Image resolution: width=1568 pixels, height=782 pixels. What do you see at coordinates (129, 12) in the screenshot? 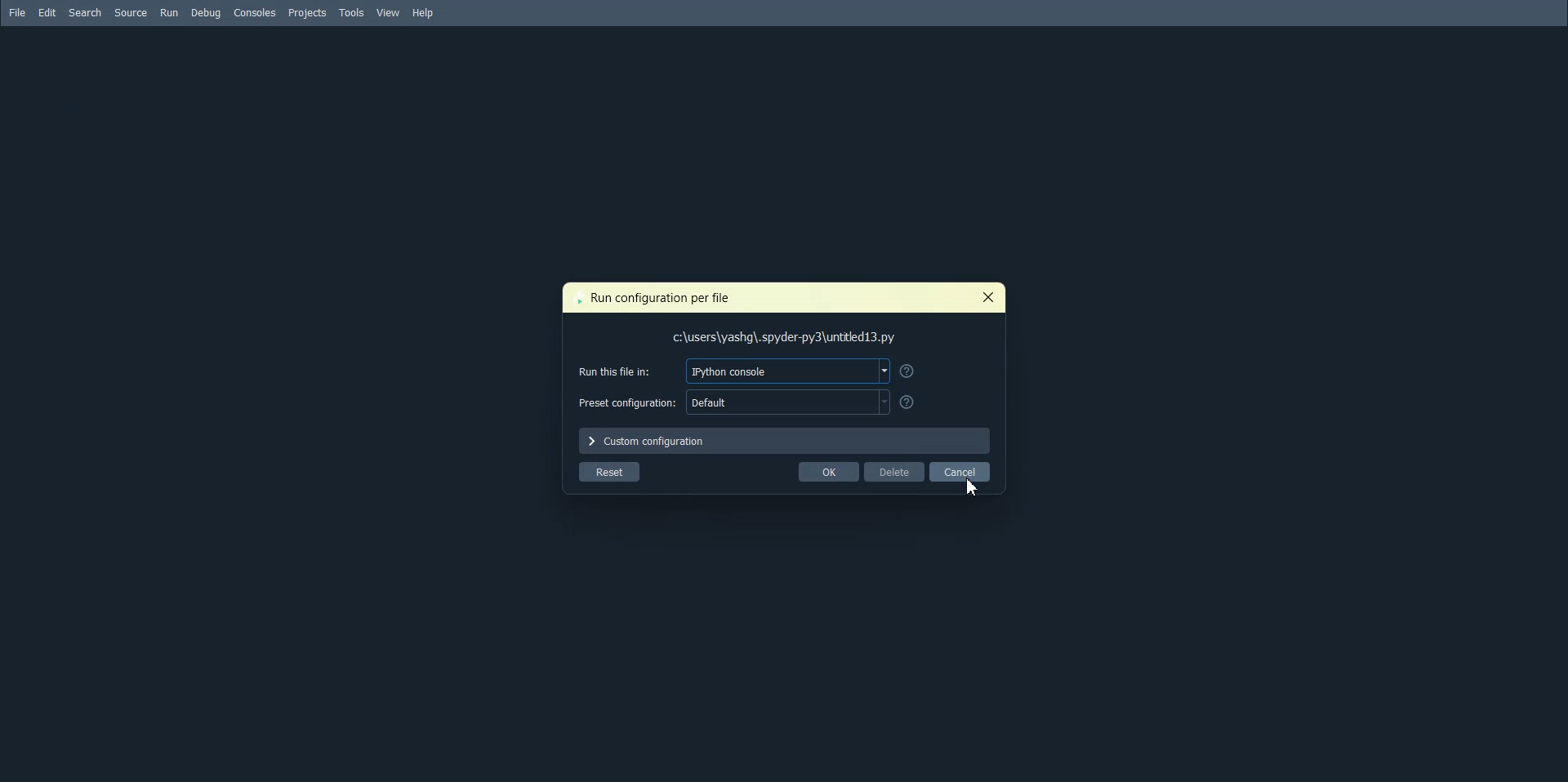
I see `Source` at bounding box center [129, 12].